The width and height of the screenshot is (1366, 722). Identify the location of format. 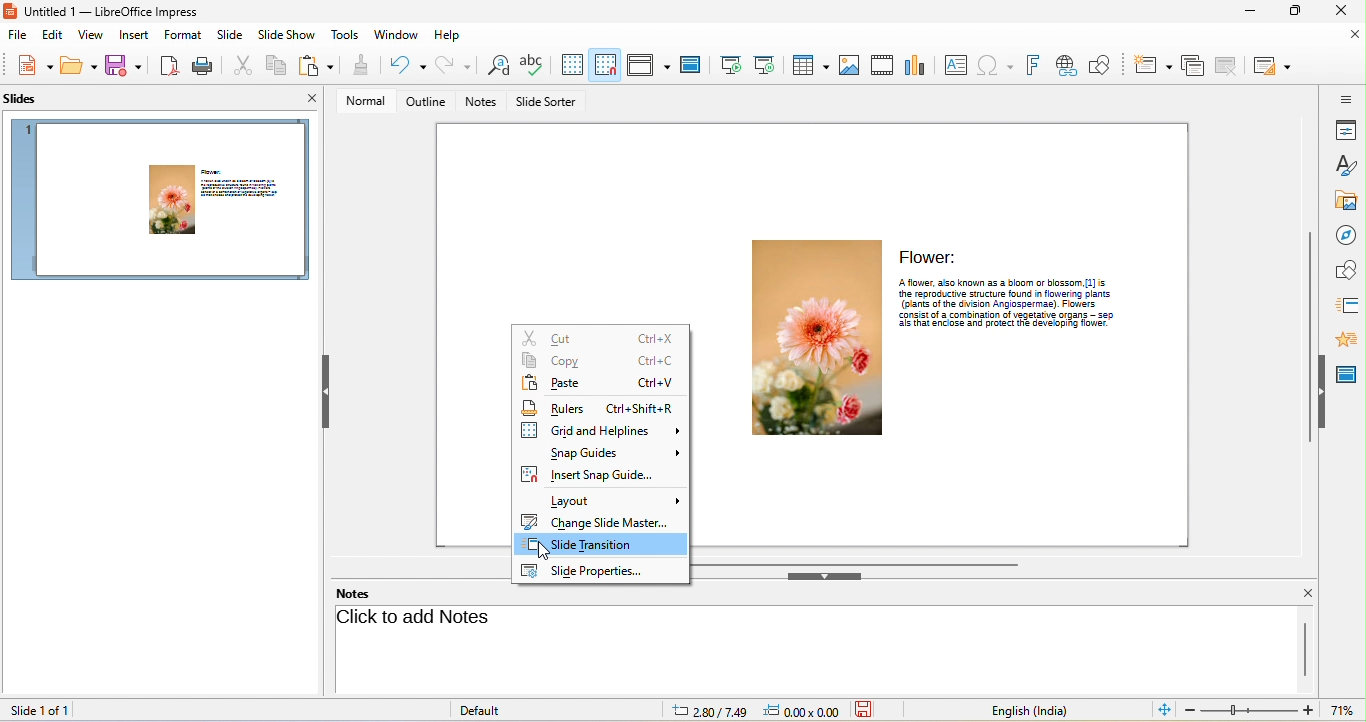
(185, 35).